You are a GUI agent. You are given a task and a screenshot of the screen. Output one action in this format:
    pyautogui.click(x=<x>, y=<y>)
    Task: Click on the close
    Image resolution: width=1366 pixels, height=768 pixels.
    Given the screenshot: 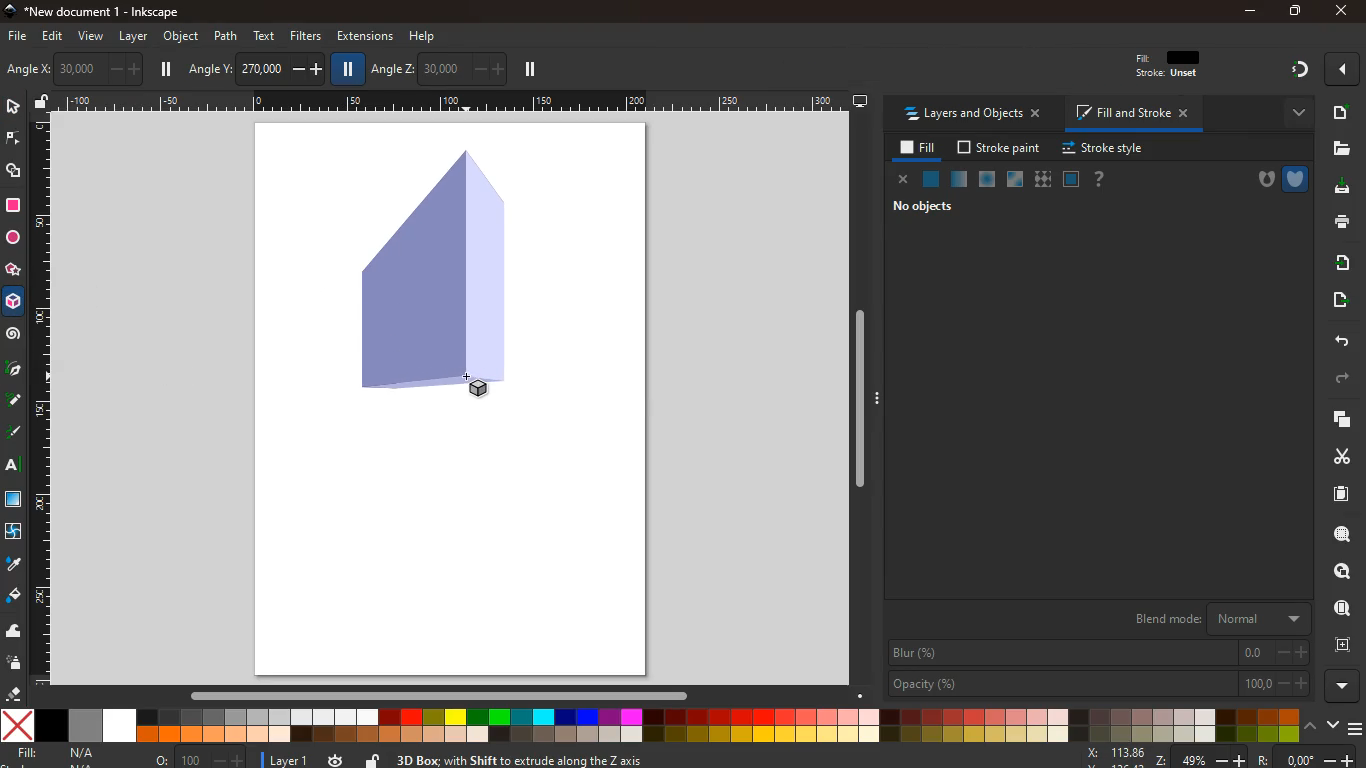 What is the action you would take?
    pyautogui.click(x=903, y=180)
    